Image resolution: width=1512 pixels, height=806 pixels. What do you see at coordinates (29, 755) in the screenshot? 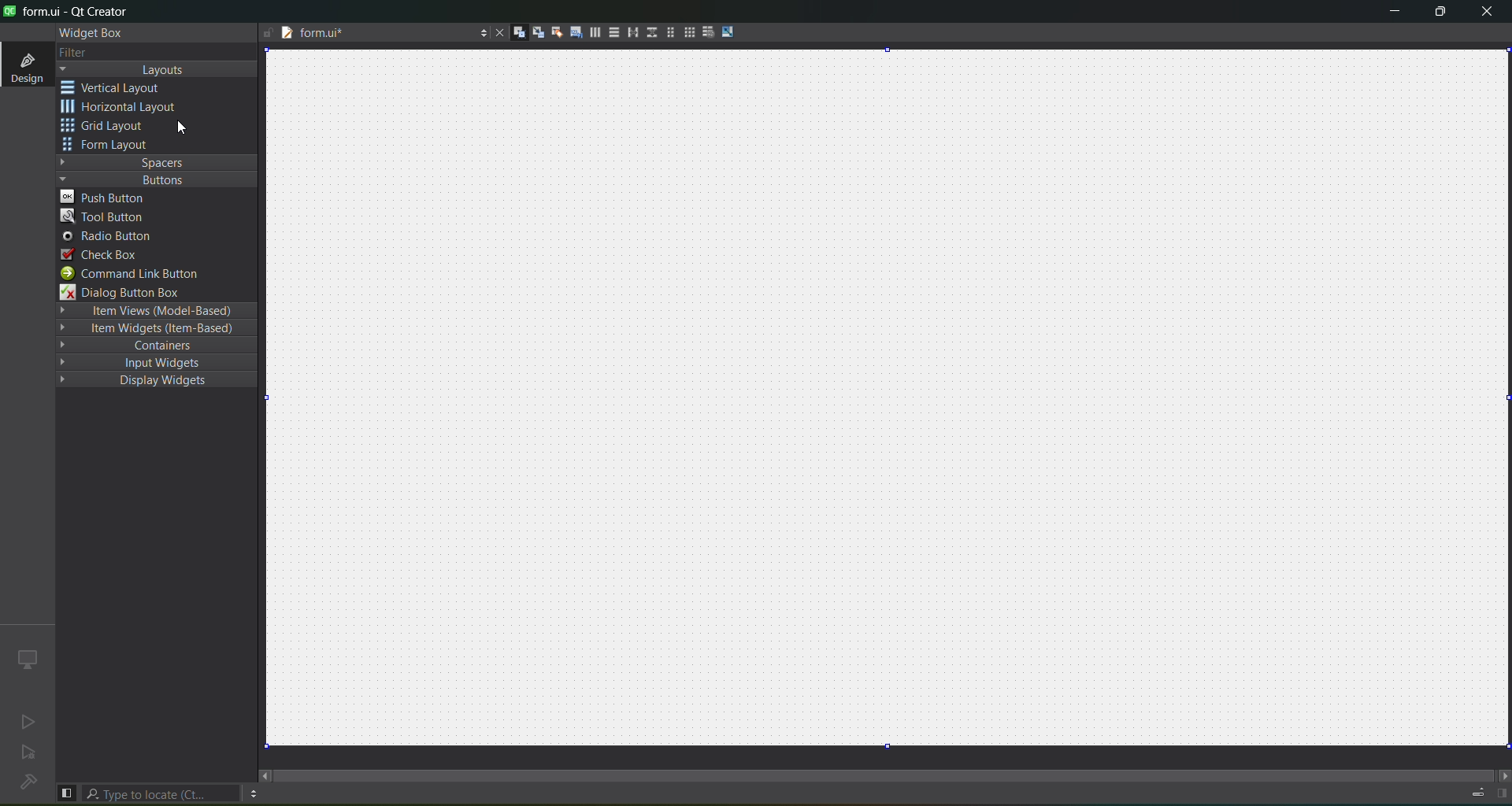
I see `no active project` at bounding box center [29, 755].